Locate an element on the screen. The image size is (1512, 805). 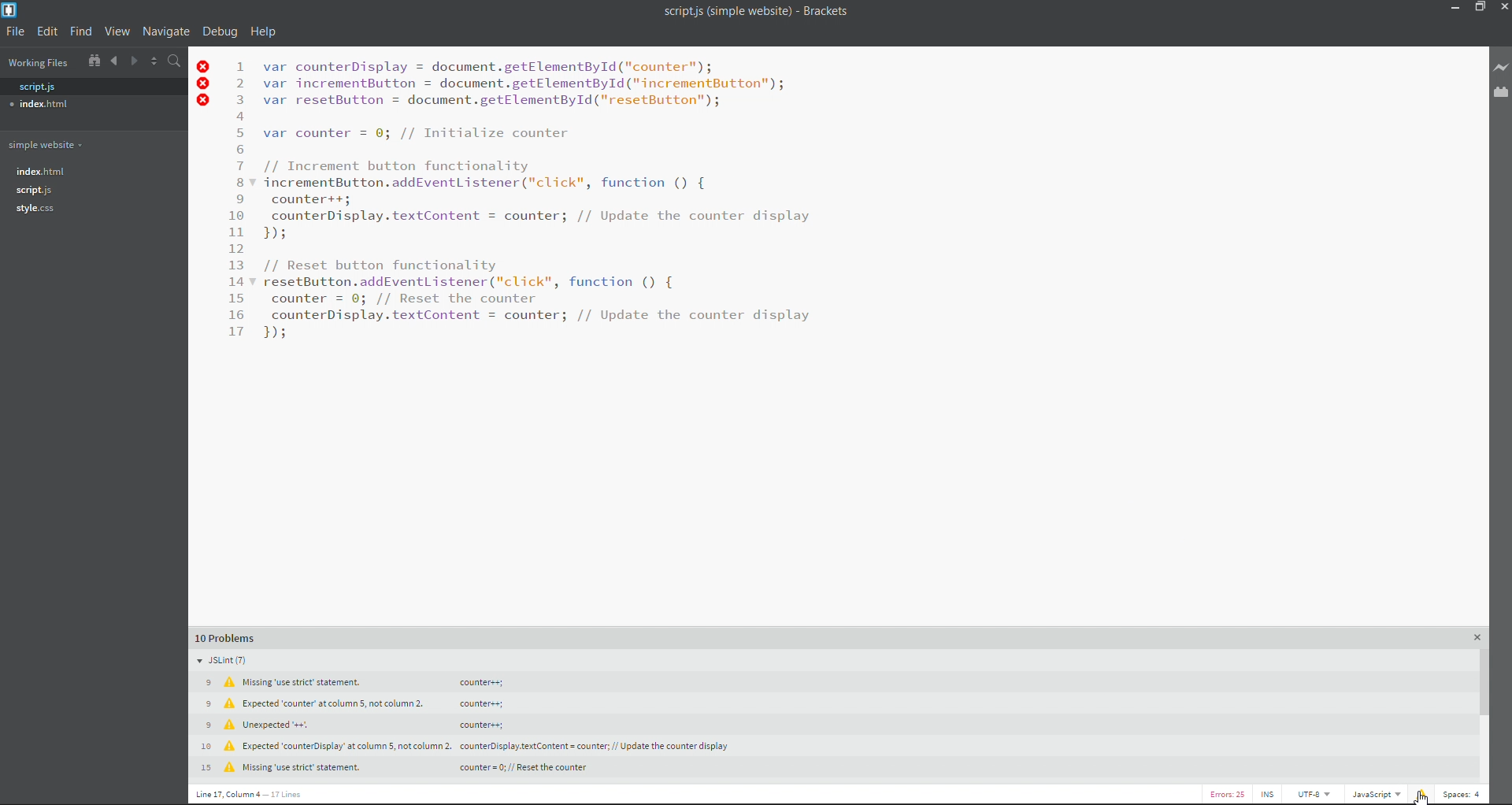
JSLint toggle is located at coordinates (246, 659).